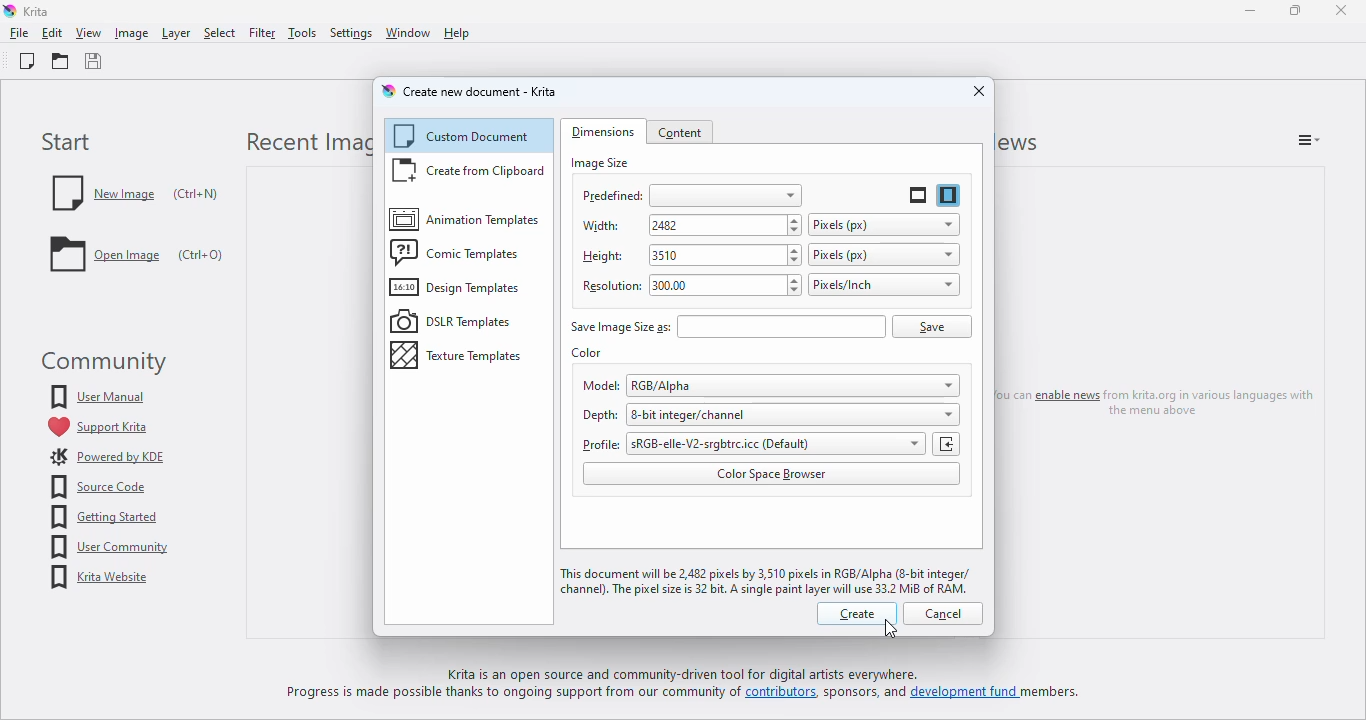 The image size is (1366, 720). I want to click on pixels/inch, so click(883, 284).